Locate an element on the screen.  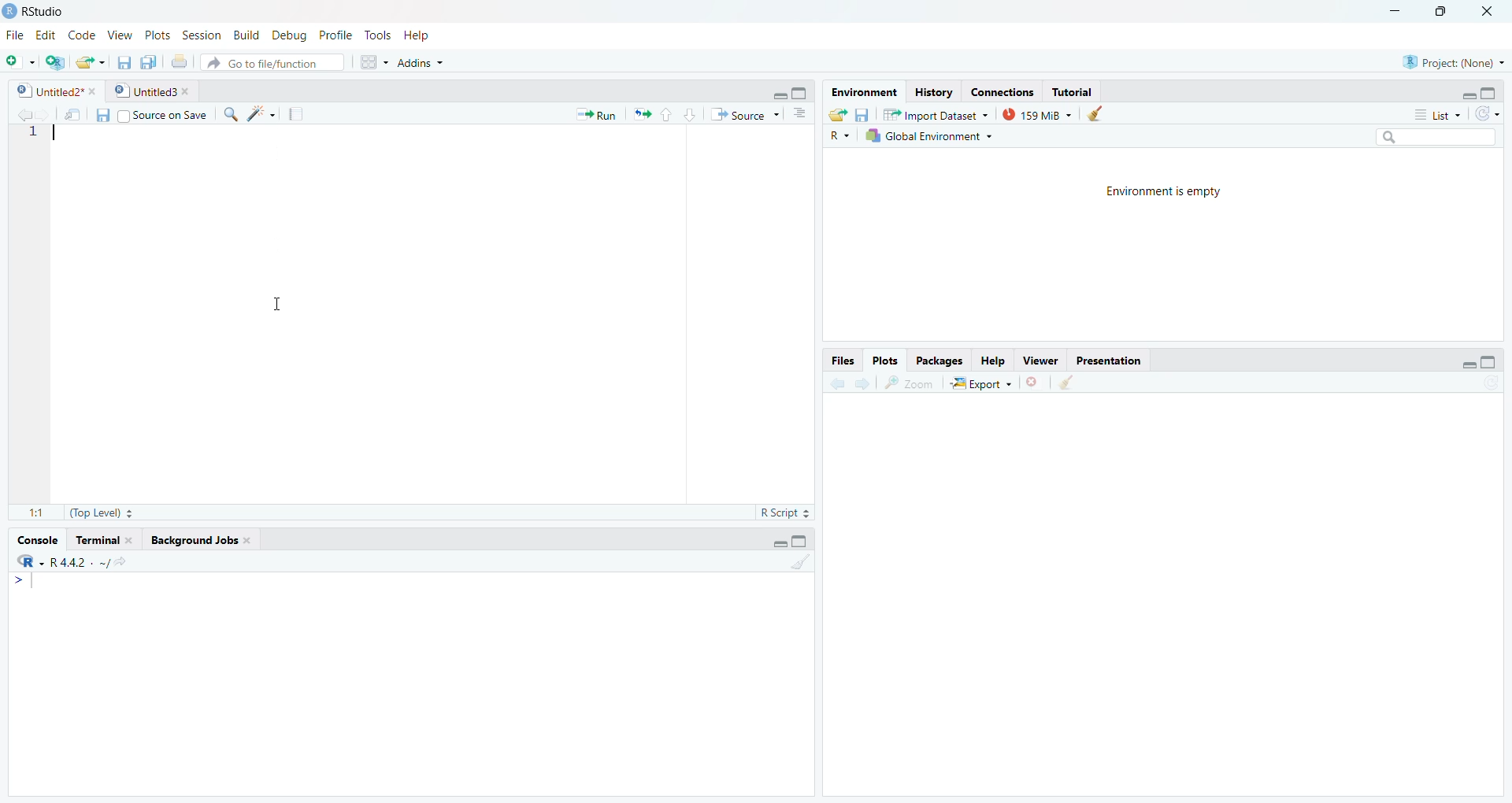
Delete is located at coordinates (1033, 383).